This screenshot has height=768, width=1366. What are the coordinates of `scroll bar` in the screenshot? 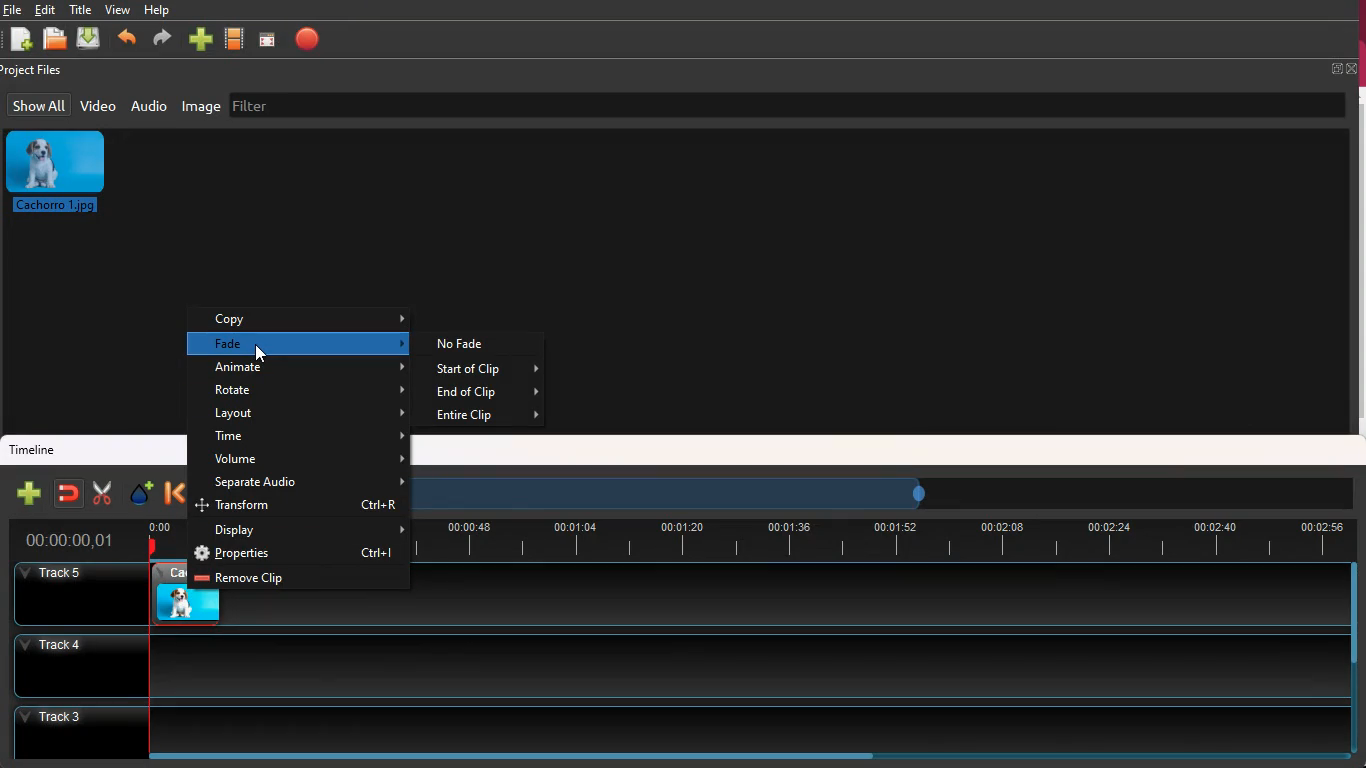 It's located at (1352, 613).